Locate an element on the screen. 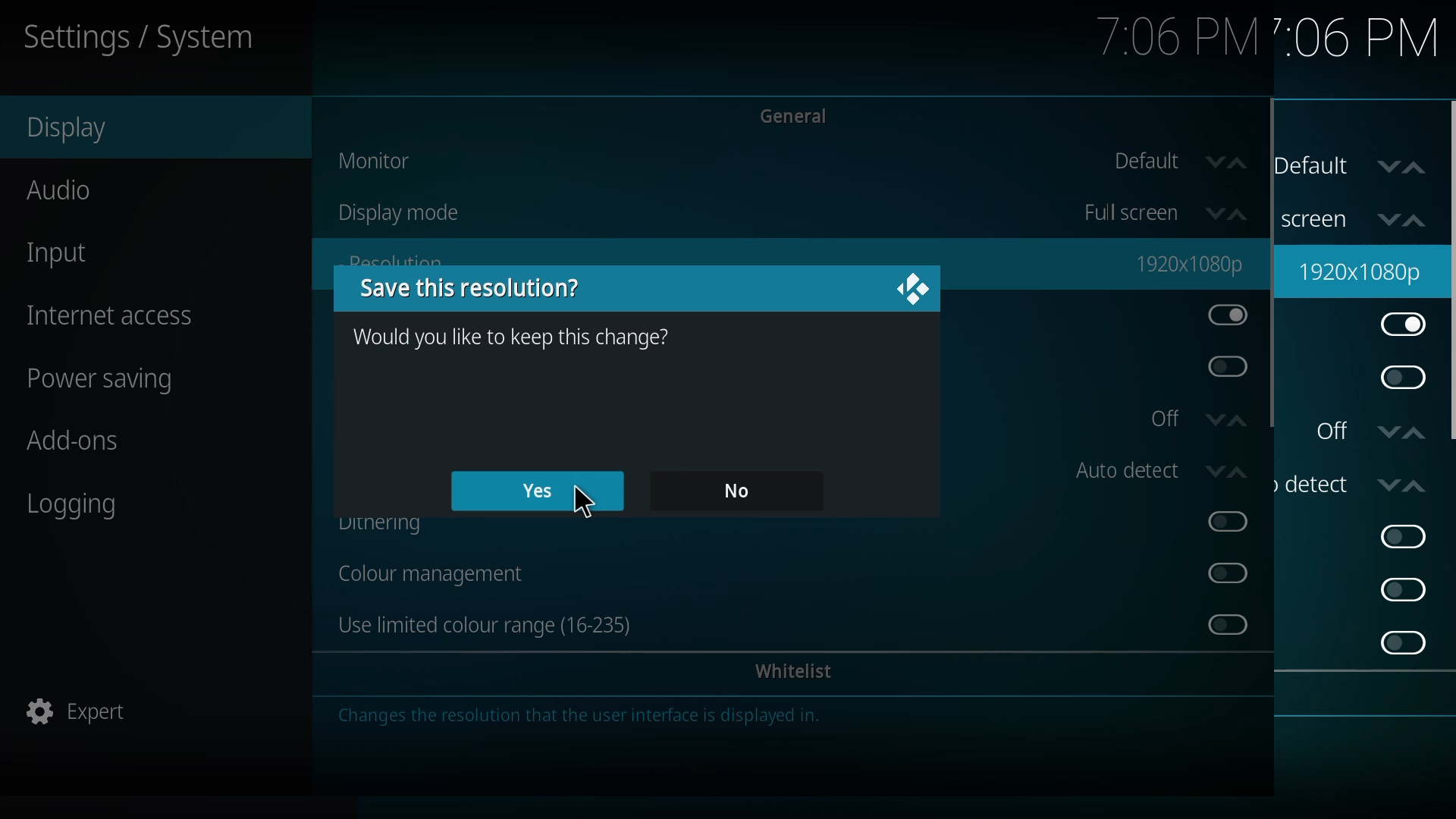  time is located at coordinates (1345, 37).